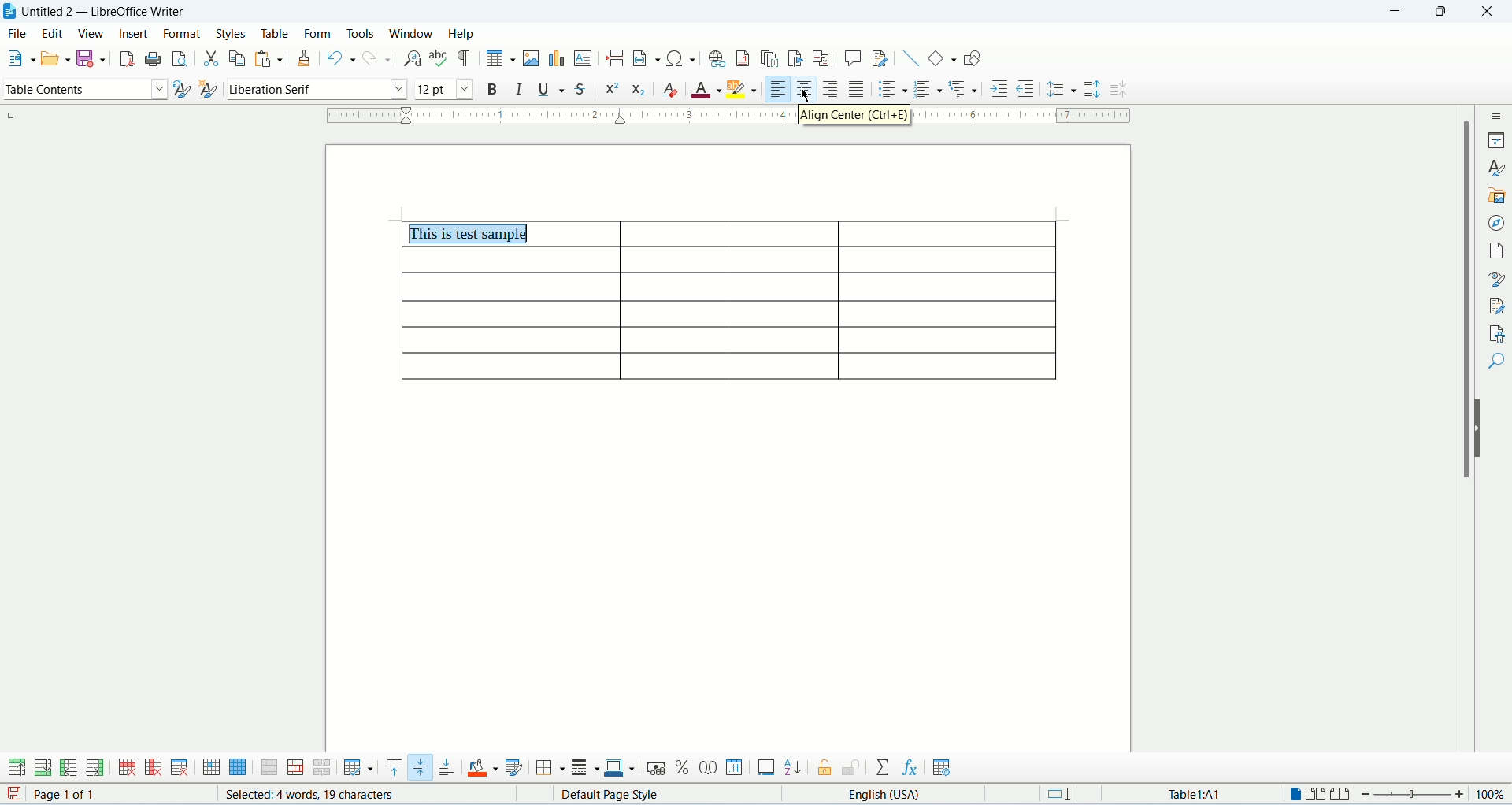 The height and width of the screenshot is (805, 1512). Describe the element at coordinates (83, 90) in the screenshot. I see `paragraph style` at that location.